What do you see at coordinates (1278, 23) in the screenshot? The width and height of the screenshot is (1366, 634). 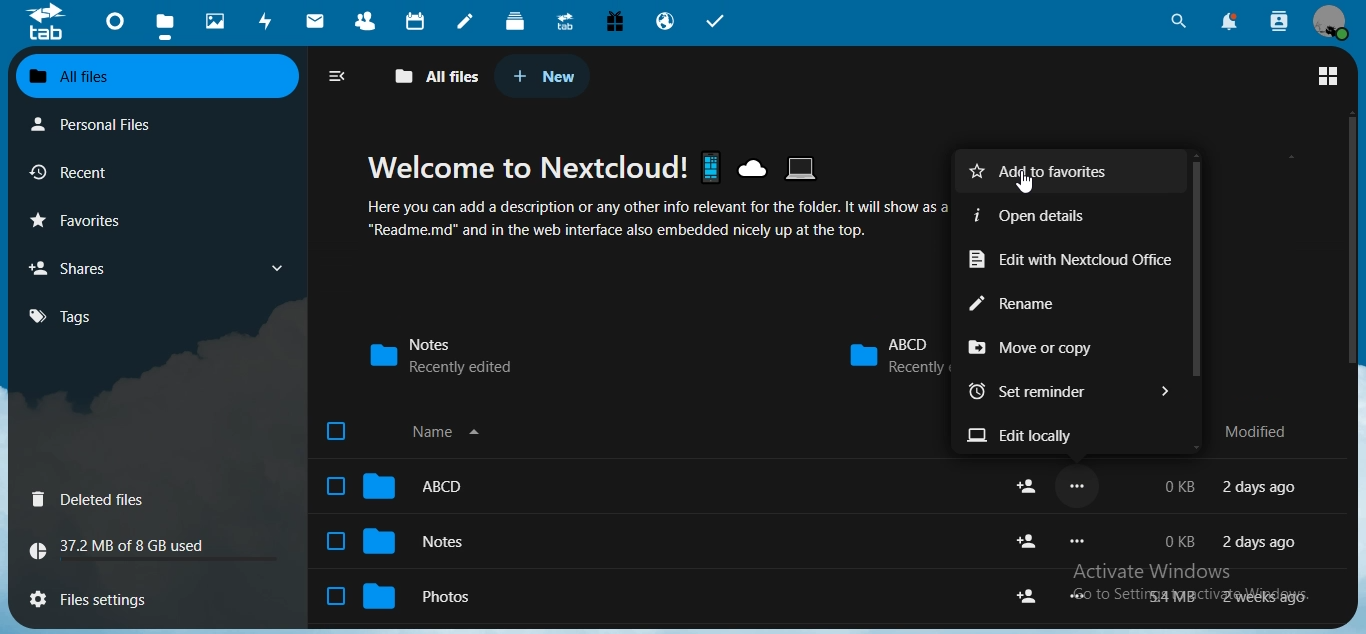 I see `search contacts` at bounding box center [1278, 23].